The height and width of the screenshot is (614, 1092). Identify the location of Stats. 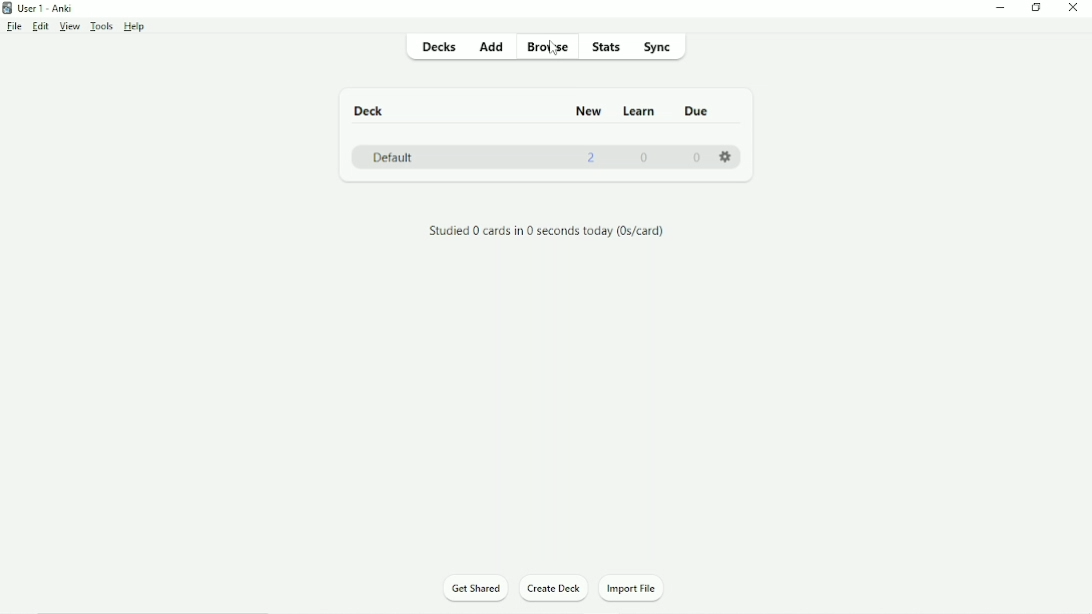
(609, 48).